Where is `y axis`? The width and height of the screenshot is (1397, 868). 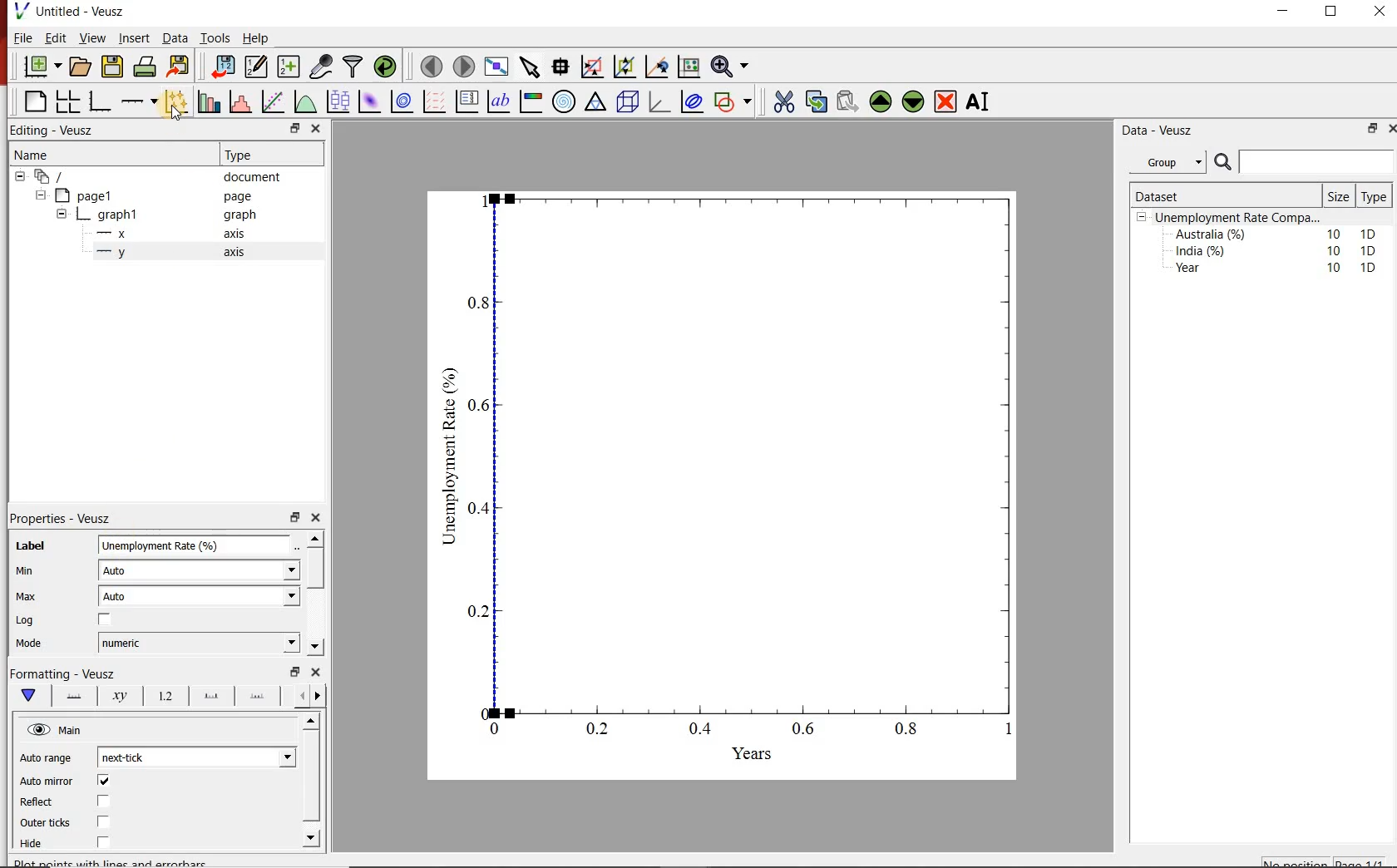
y axis is located at coordinates (180, 253).